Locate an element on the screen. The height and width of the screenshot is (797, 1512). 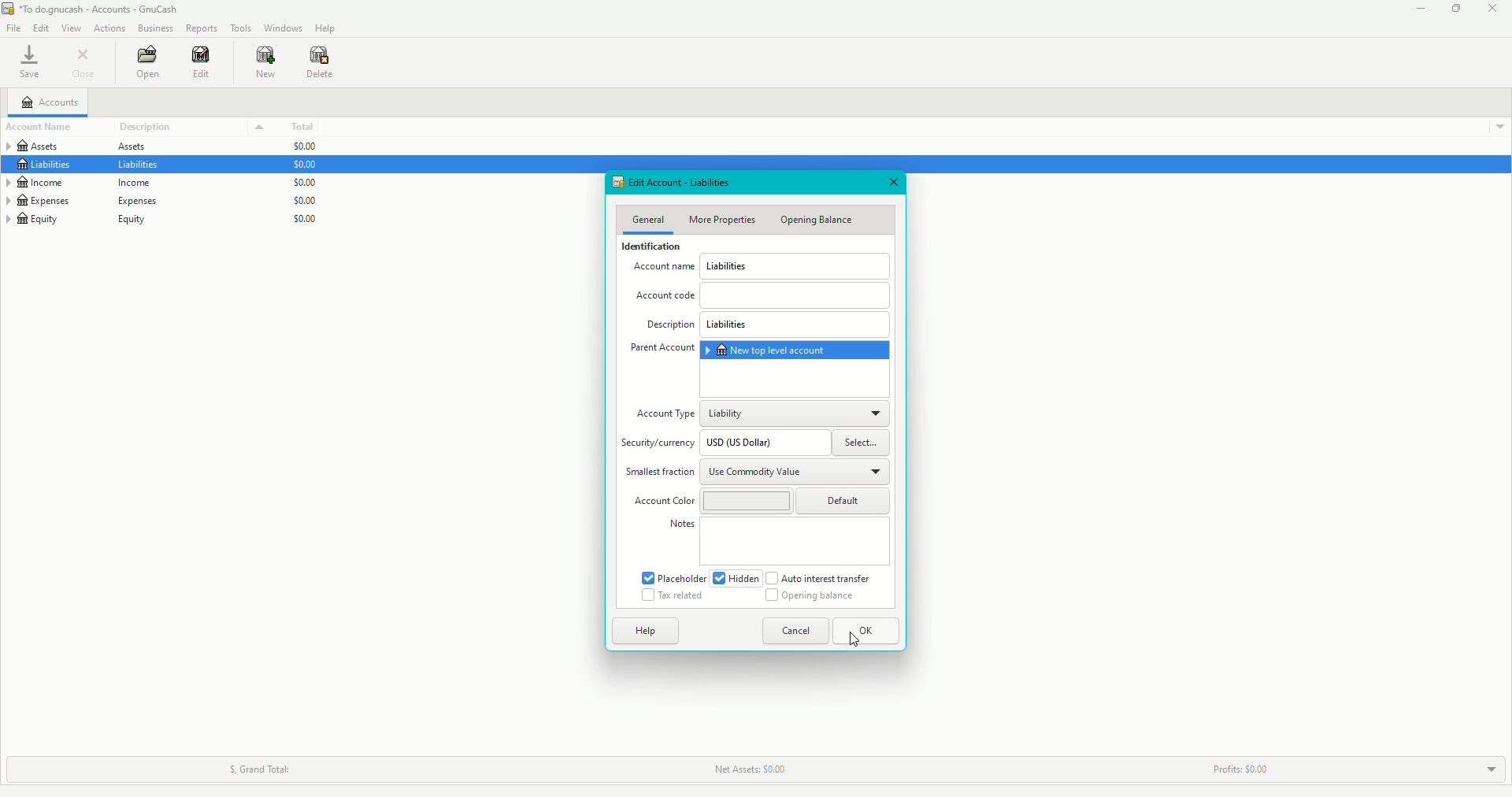
Close is located at coordinates (87, 64).